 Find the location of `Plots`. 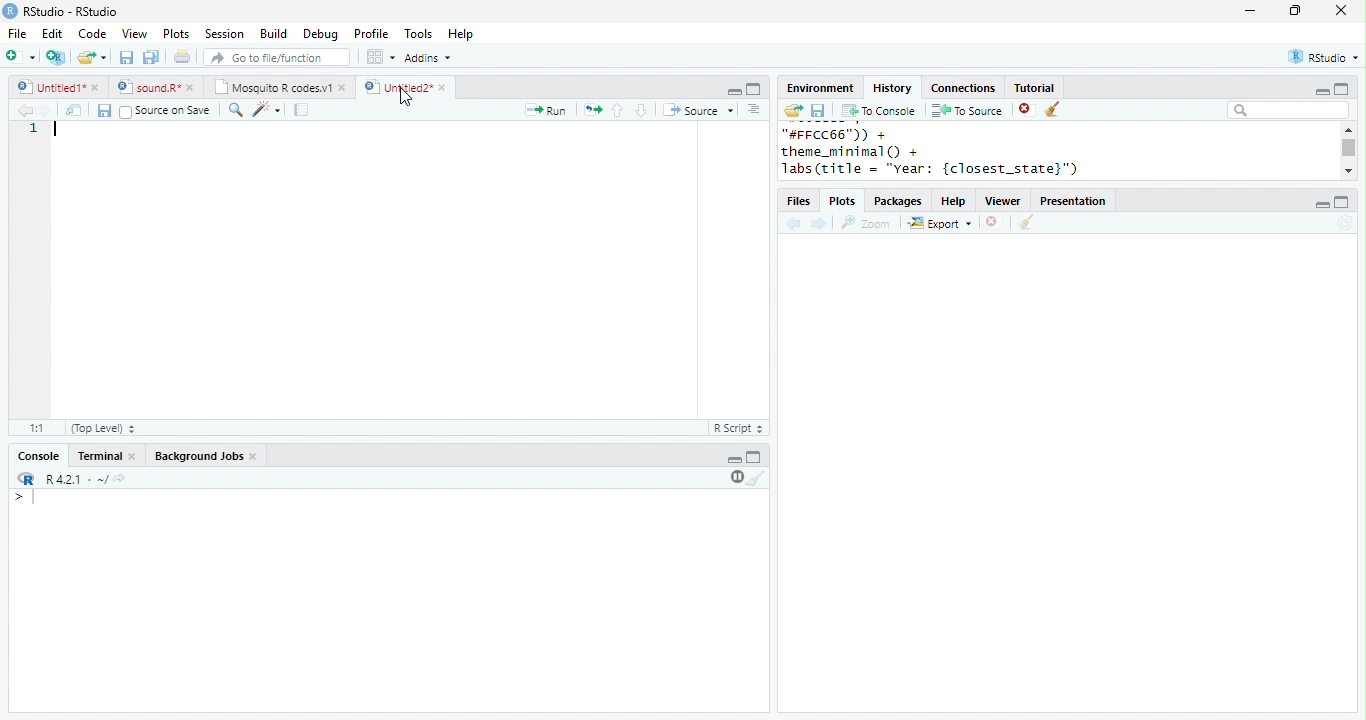

Plots is located at coordinates (177, 34).